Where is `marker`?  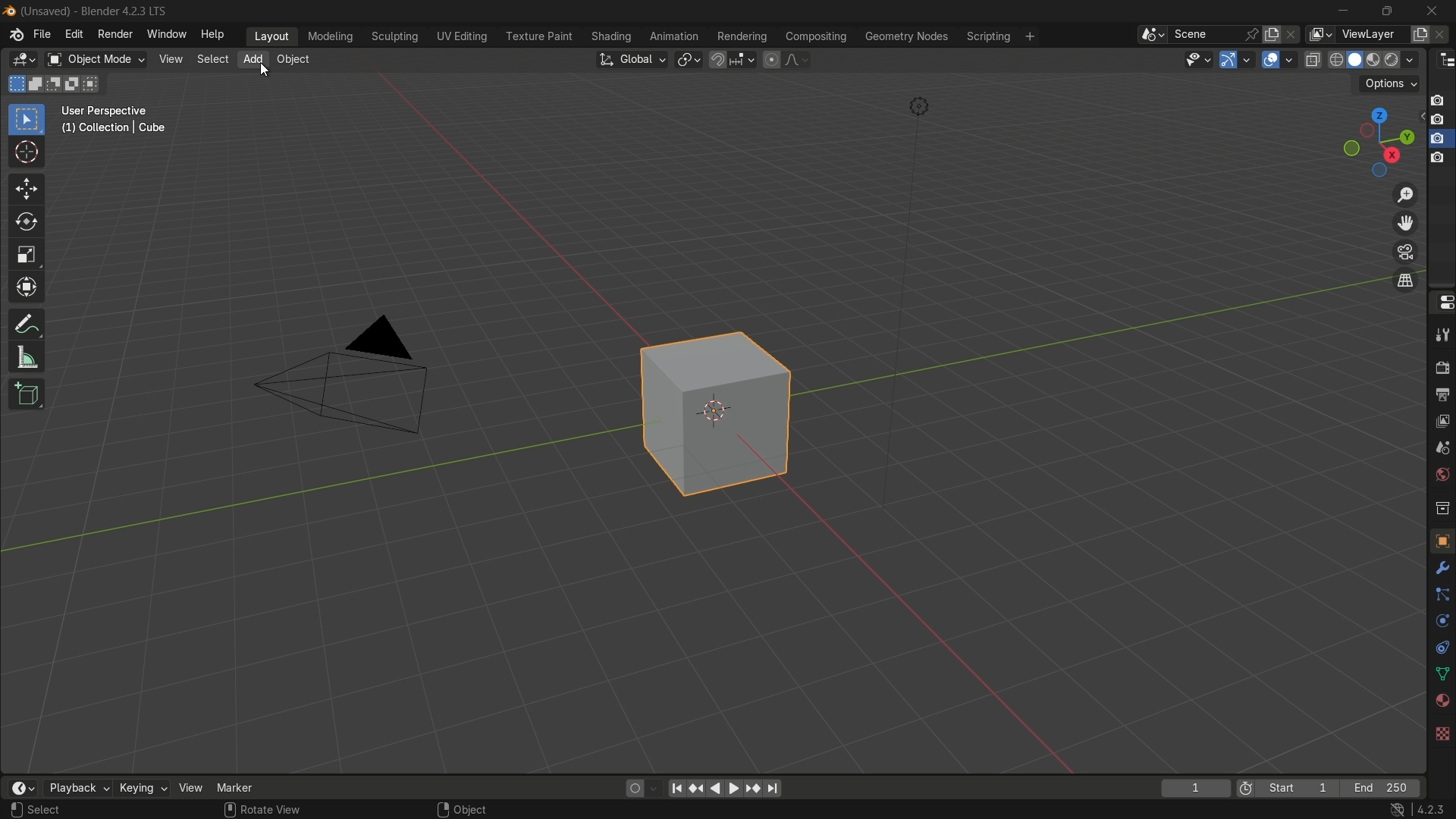 marker is located at coordinates (235, 787).